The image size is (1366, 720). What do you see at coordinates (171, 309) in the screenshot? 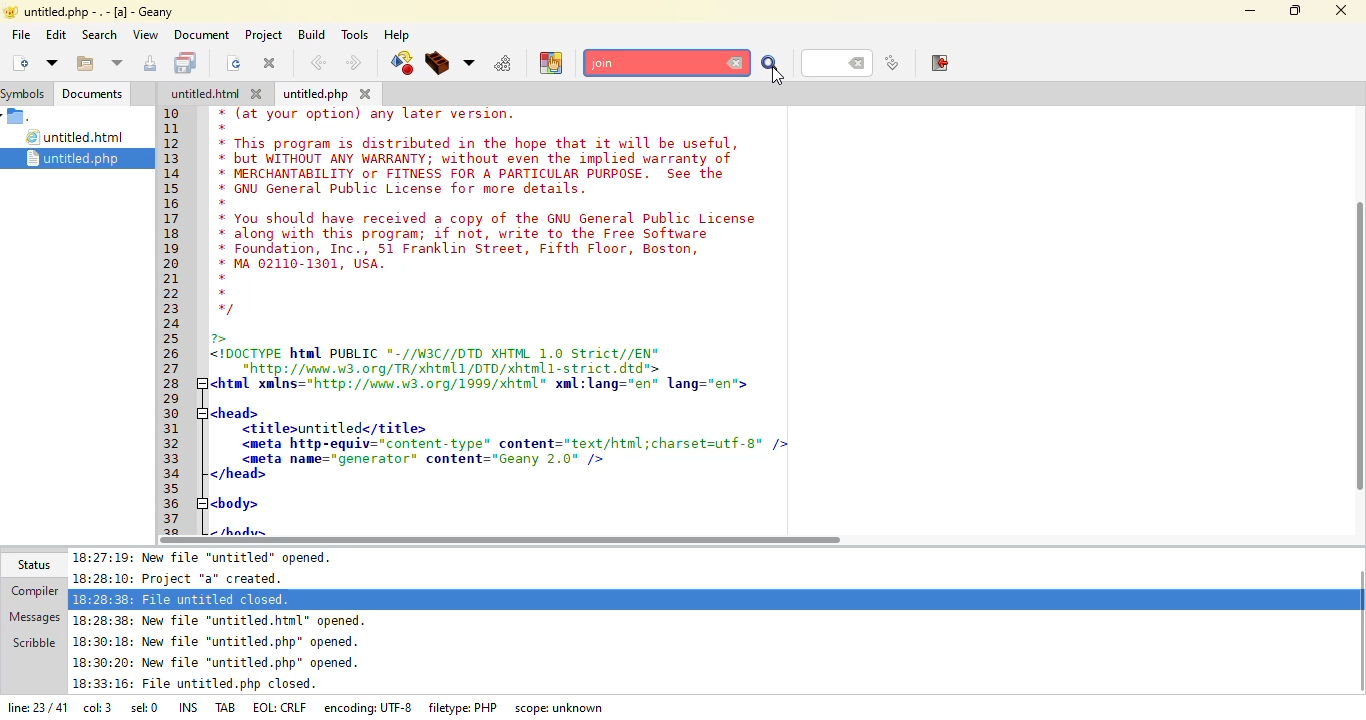
I see `23` at bounding box center [171, 309].